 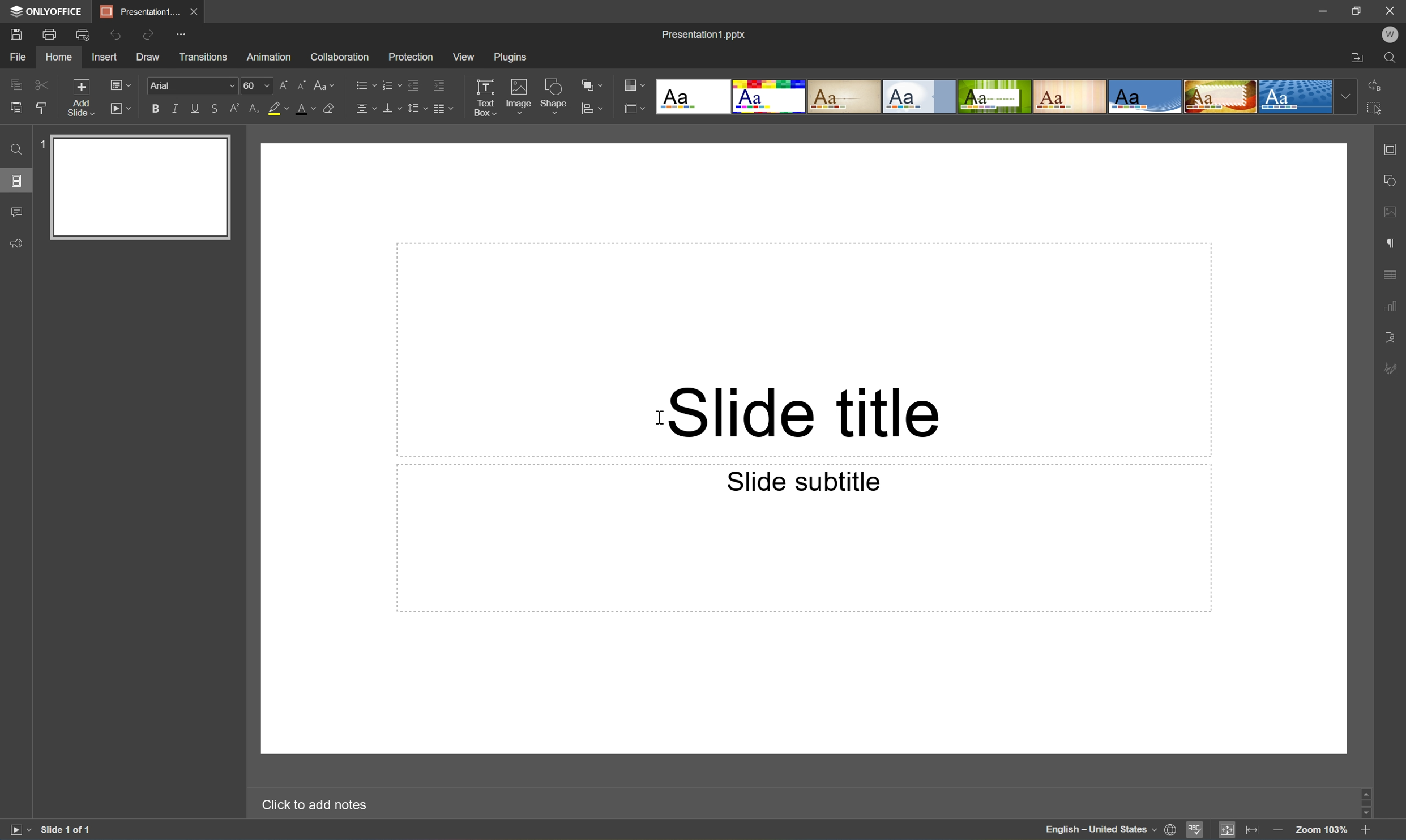 I want to click on Text Box, so click(x=481, y=95).